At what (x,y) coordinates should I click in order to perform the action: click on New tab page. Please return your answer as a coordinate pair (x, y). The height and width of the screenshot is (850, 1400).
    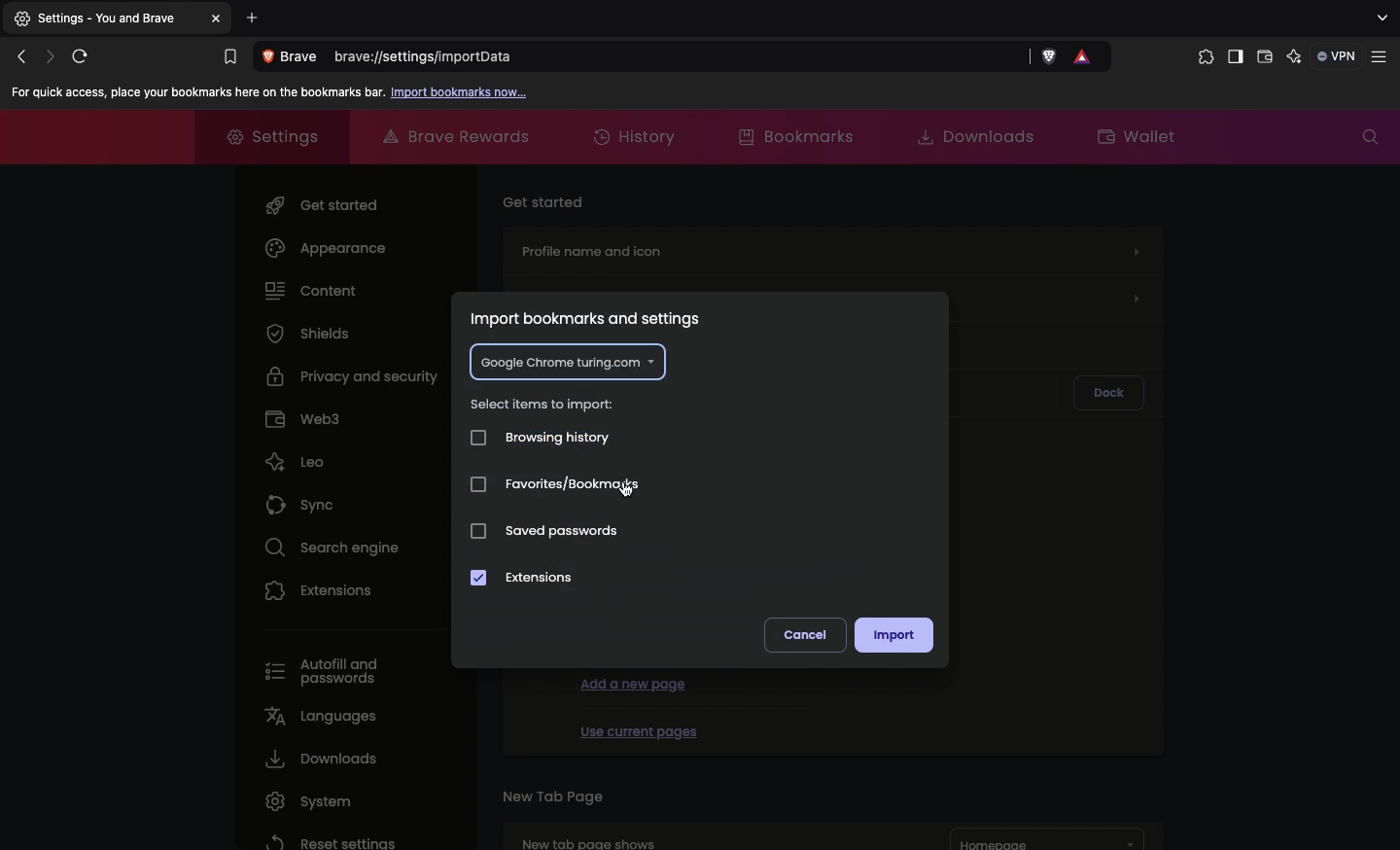
    Looking at the image, I should click on (552, 795).